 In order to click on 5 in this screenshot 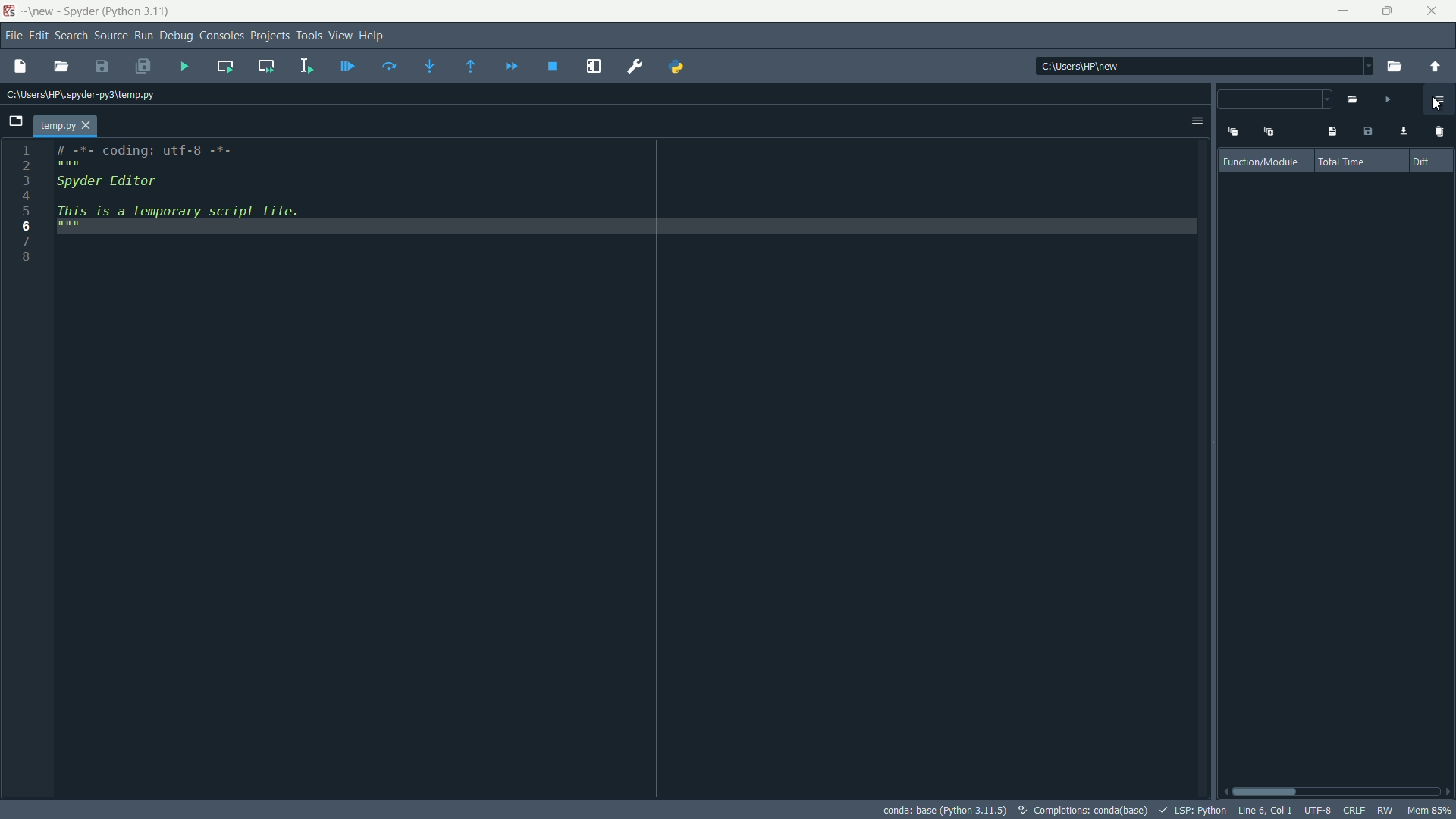, I will do `click(25, 209)`.